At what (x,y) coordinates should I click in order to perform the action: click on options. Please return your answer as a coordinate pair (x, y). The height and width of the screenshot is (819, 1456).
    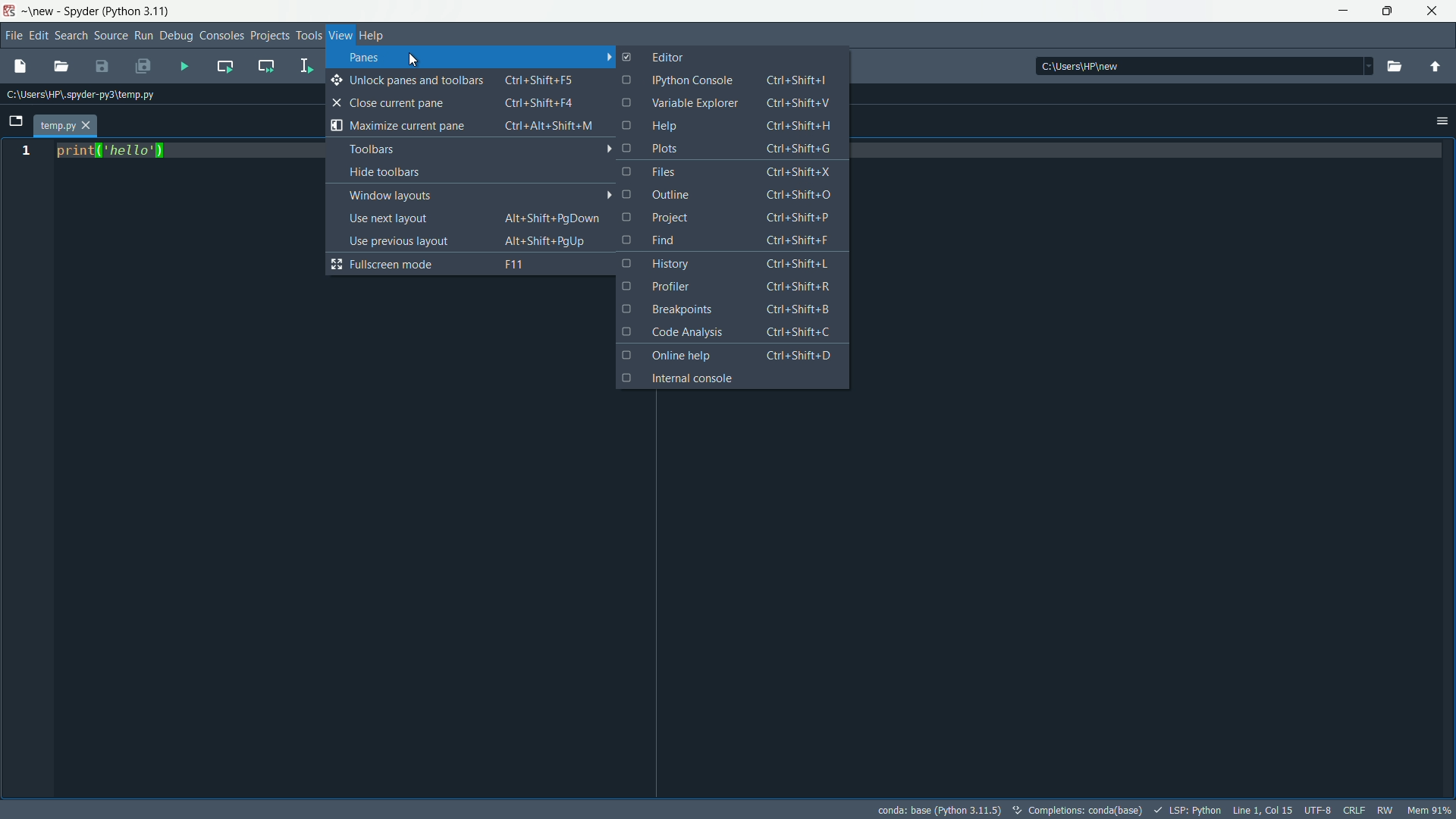
    Looking at the image, I should click on (1442, 121).